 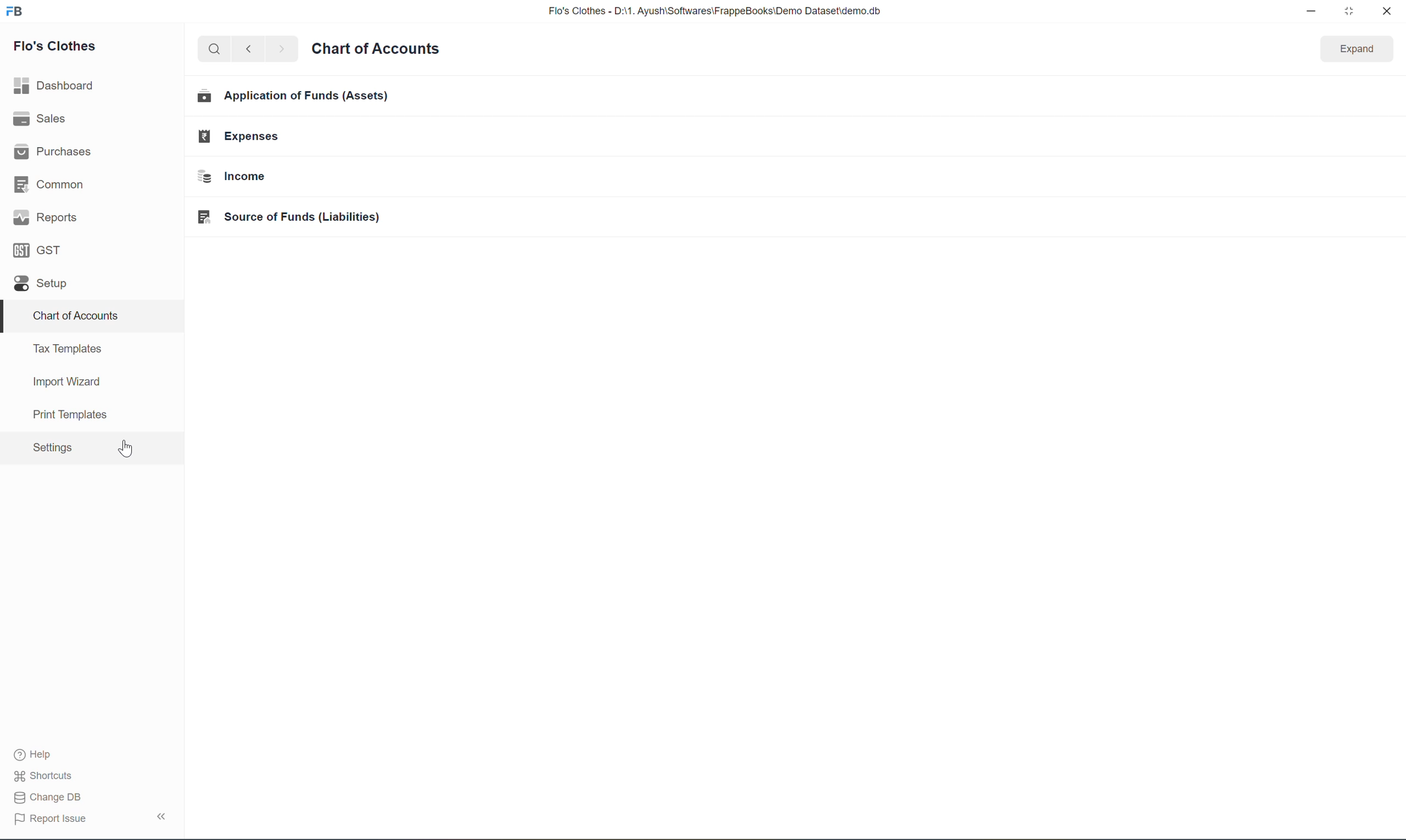 I want to click on Setup, so click(x=41, y=283).